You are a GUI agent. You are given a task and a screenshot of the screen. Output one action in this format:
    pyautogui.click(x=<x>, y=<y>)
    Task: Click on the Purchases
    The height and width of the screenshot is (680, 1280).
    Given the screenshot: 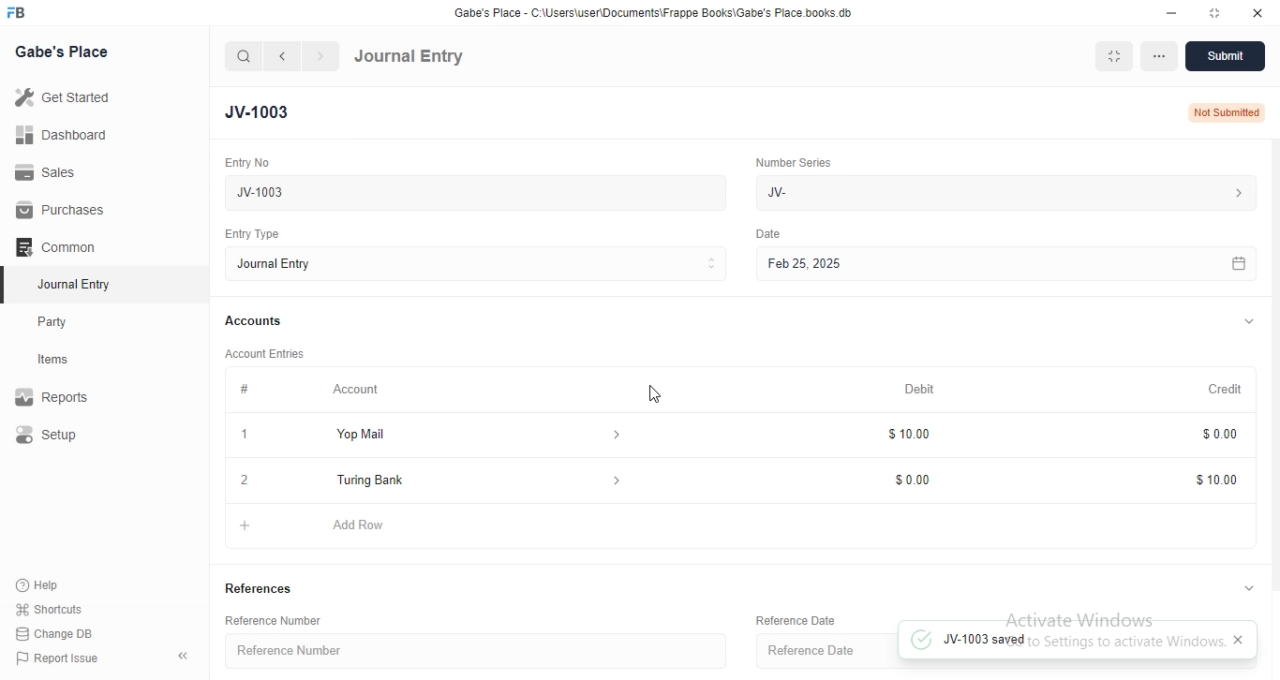 What is the action you would take?
    pyautogui.click(x=58, y=210)
    